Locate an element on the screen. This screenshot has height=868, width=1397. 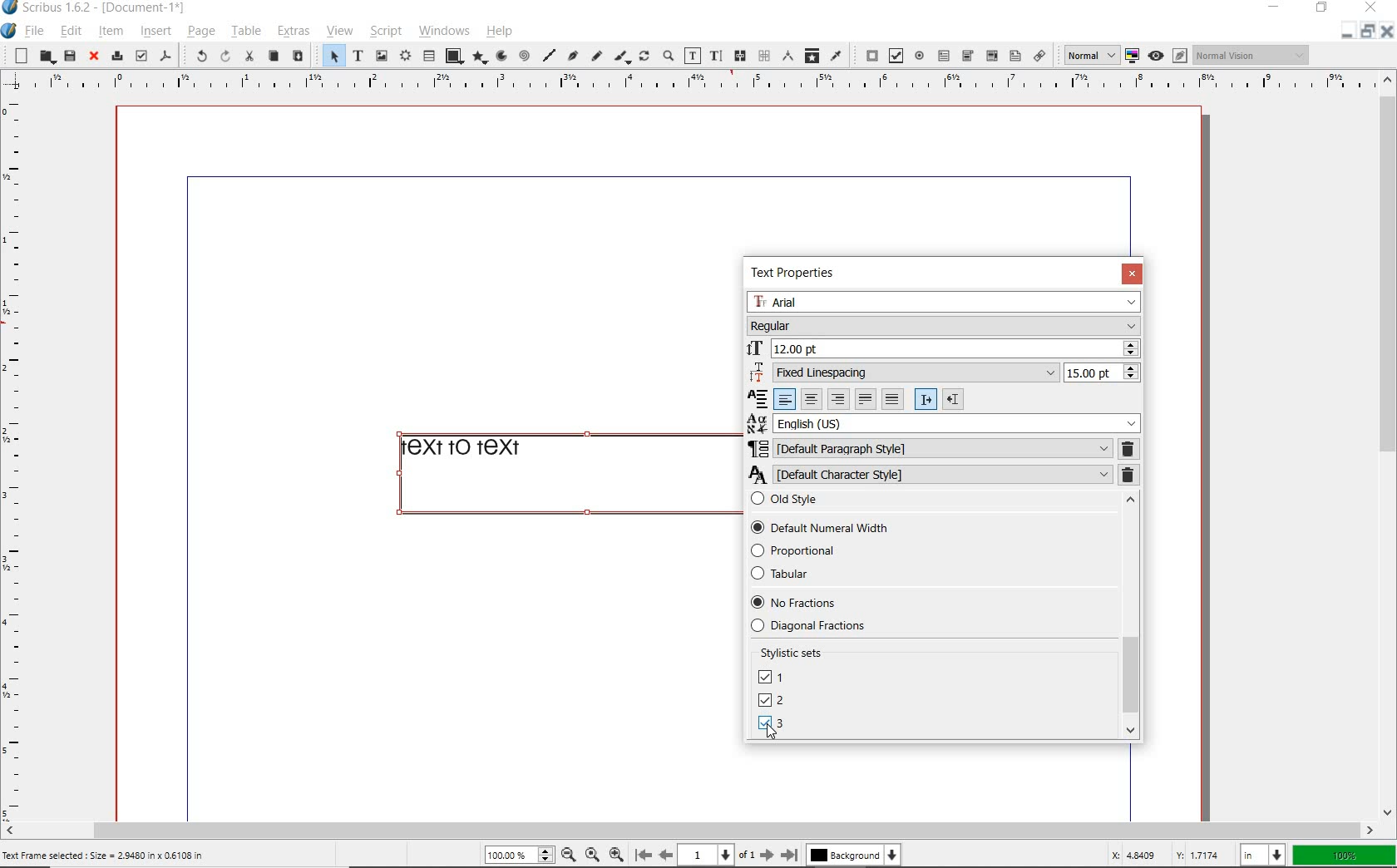
line is located at coordinates (548, 55).